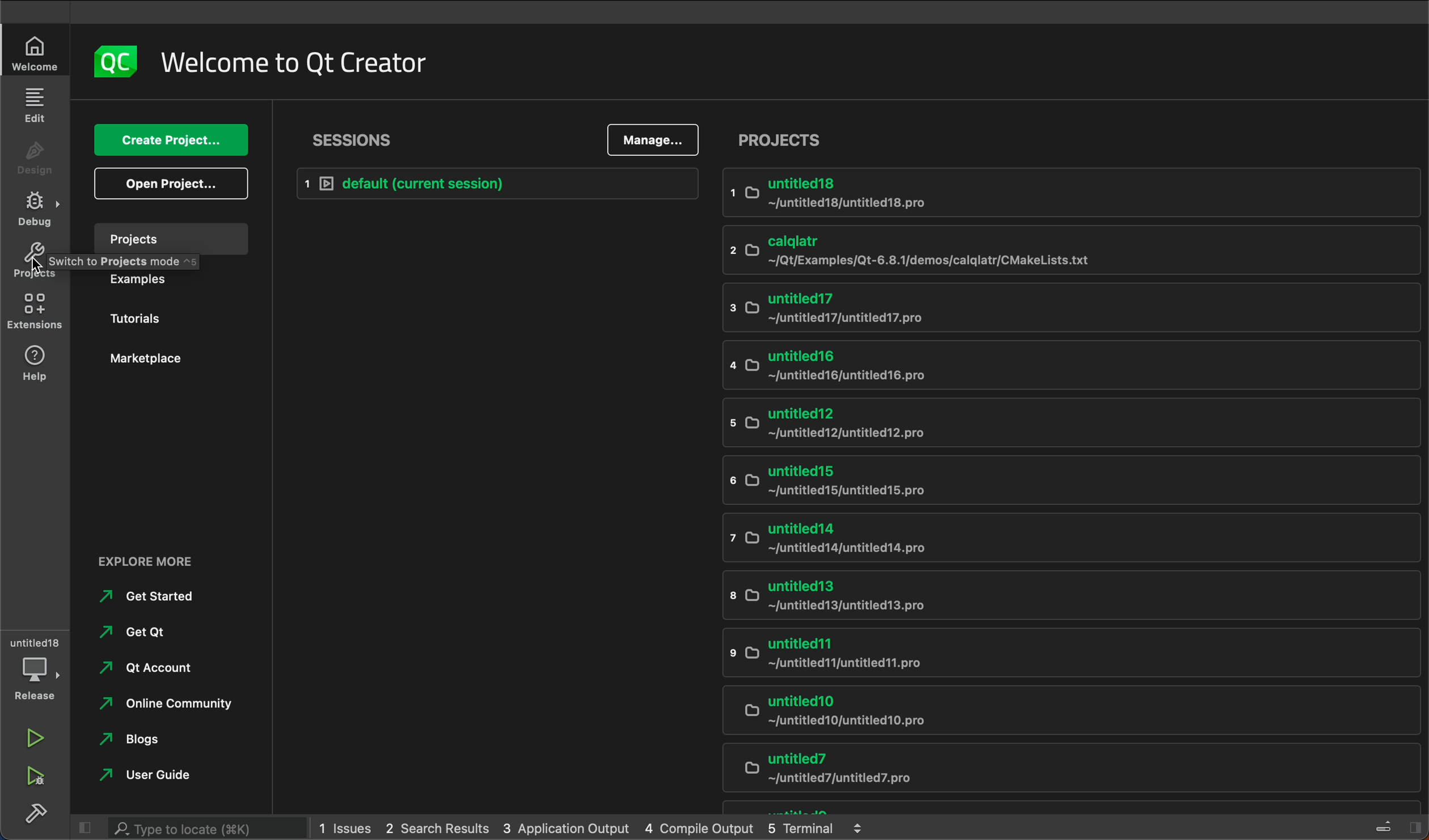 Image resolution: width=1429 pixels, height=840 pixels. I want to click on untitled18/Release, so click(37, 668).